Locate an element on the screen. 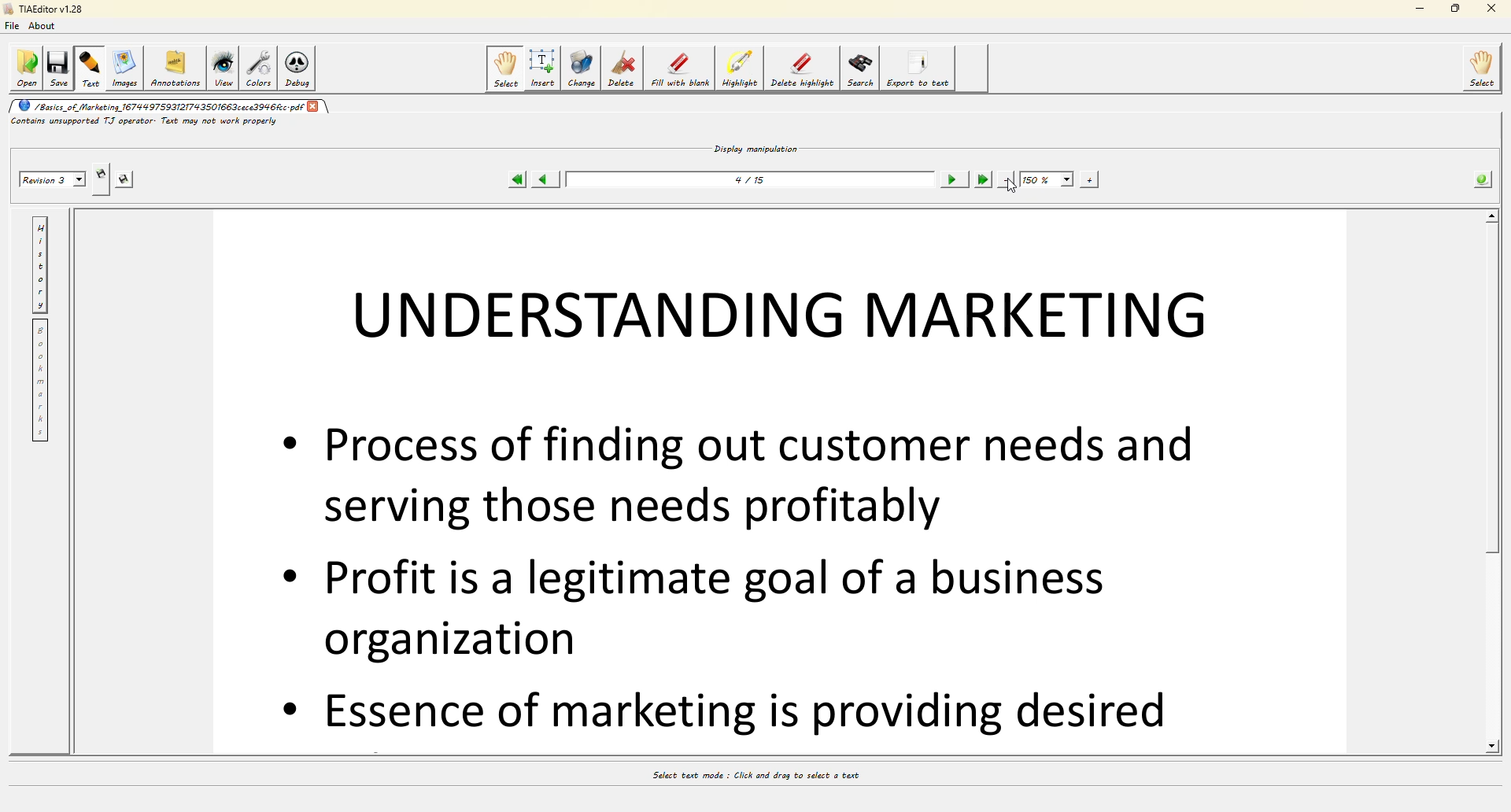 The width and height of the screenshot is (1511, 812). page number is located at coordinates (744, 181).